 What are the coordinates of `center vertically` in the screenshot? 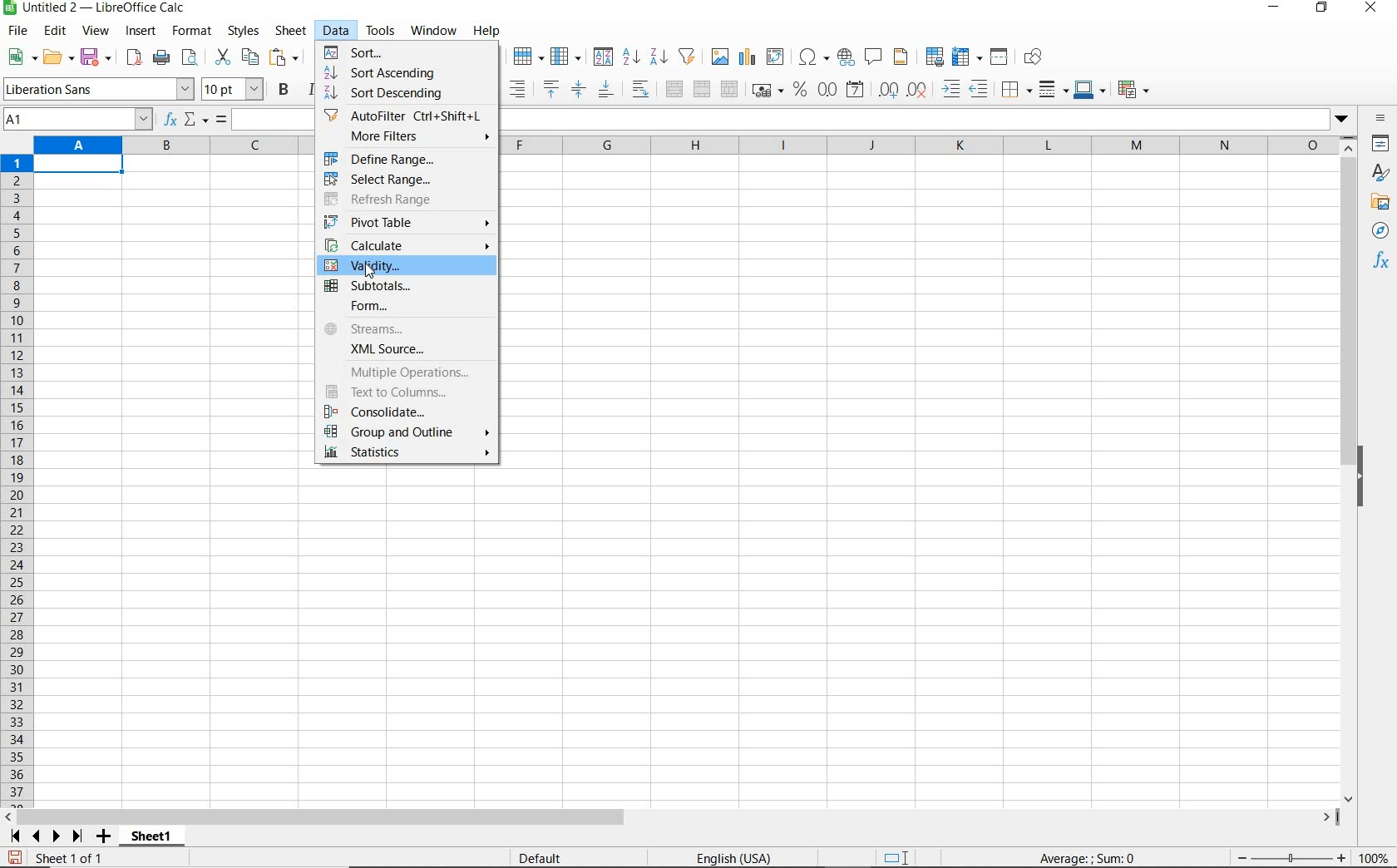 It's located at (578, 90).